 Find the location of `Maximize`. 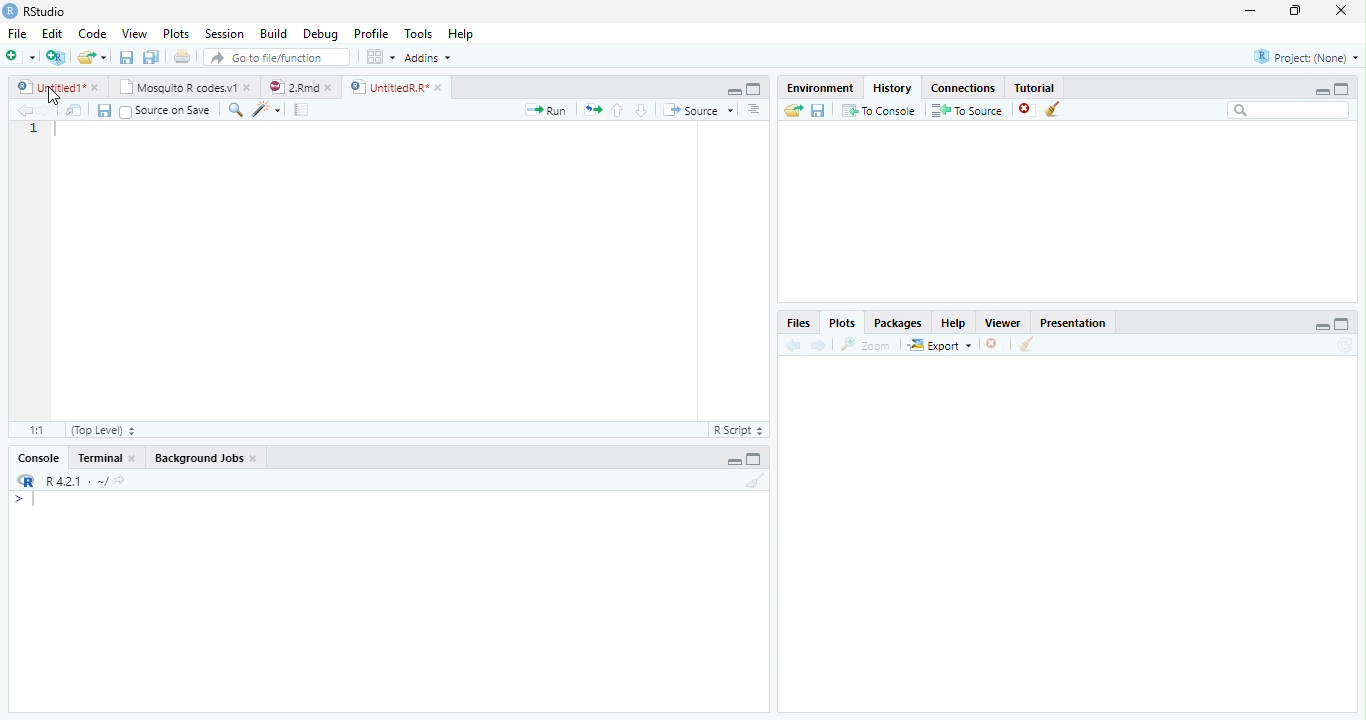

Maximize is located at coordinates (1340, 325).